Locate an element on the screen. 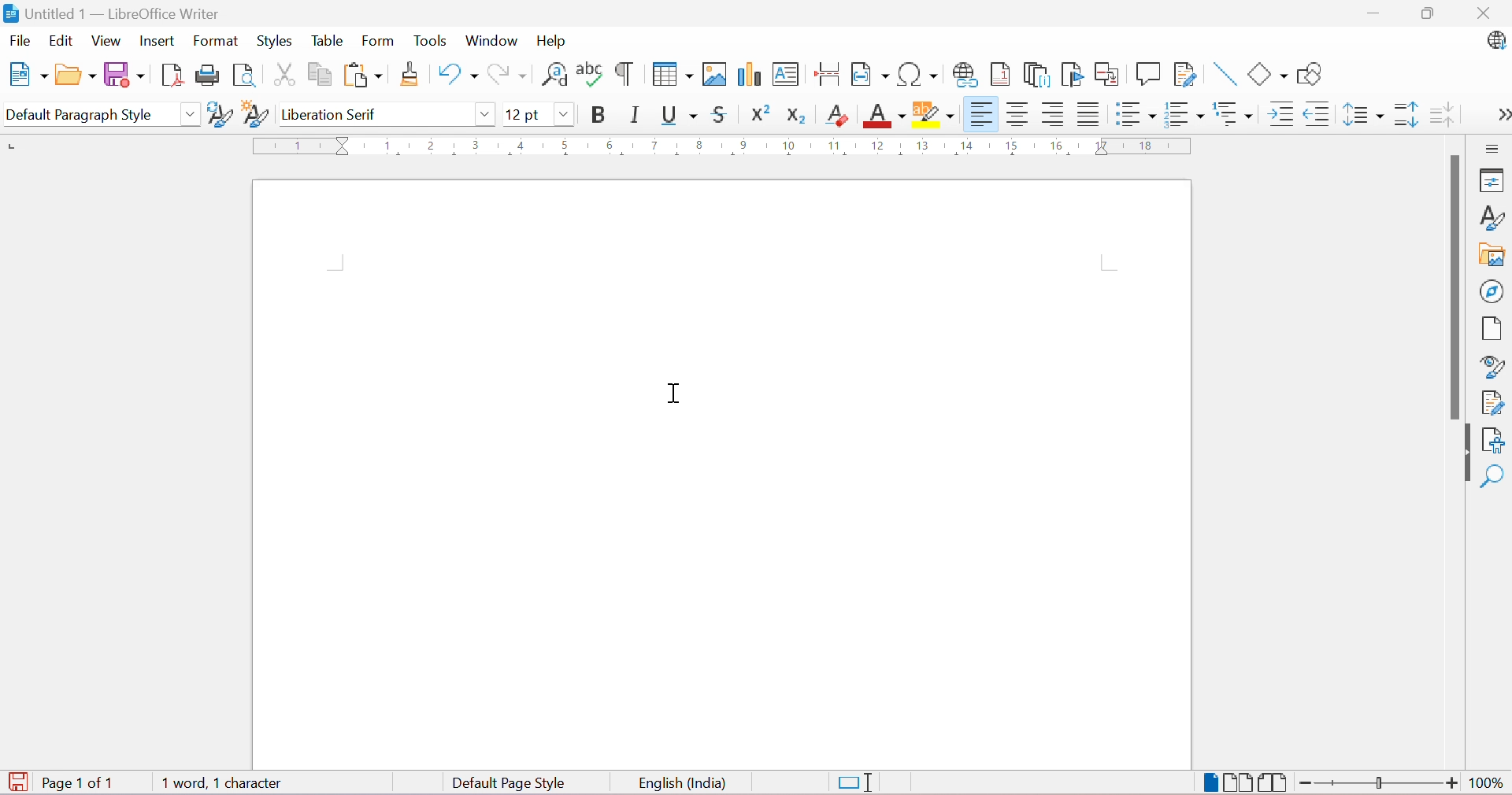 This screenshot has height=795, width=1512. Drop Down is located at coordinates (190, 113).